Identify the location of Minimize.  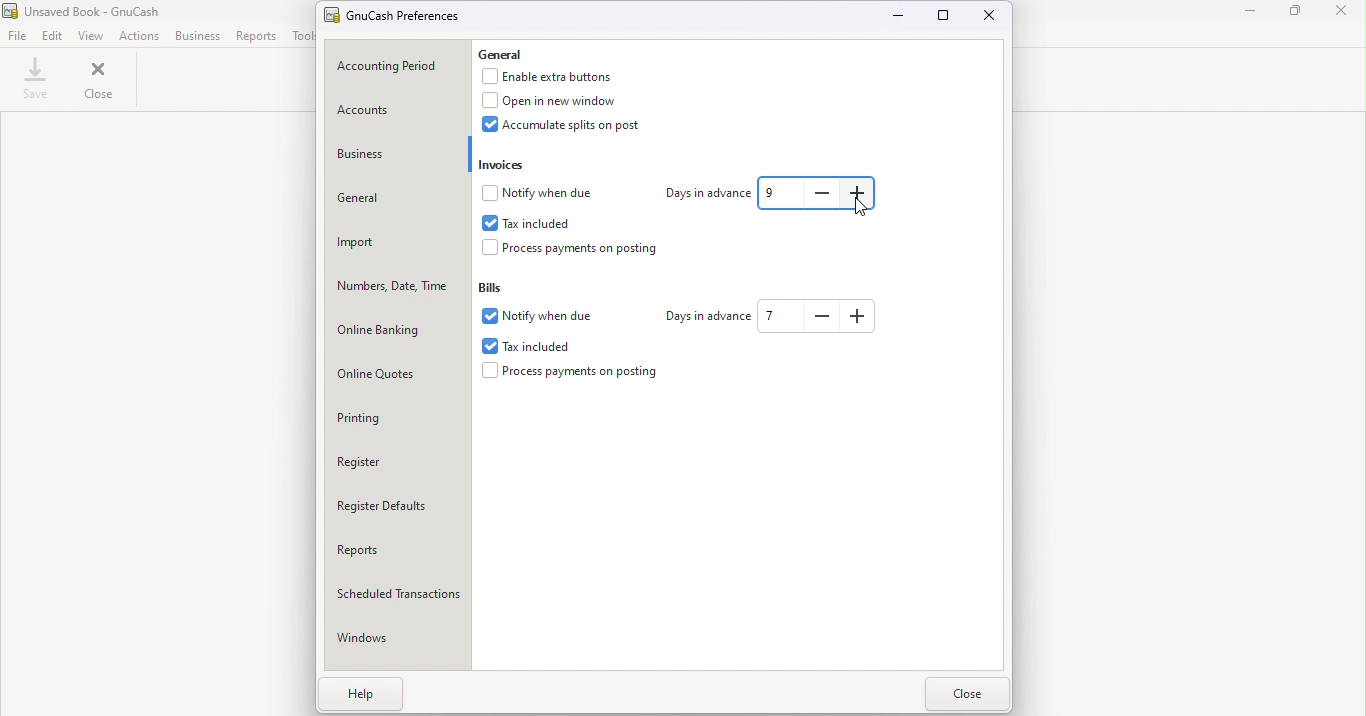
(1246, 15).